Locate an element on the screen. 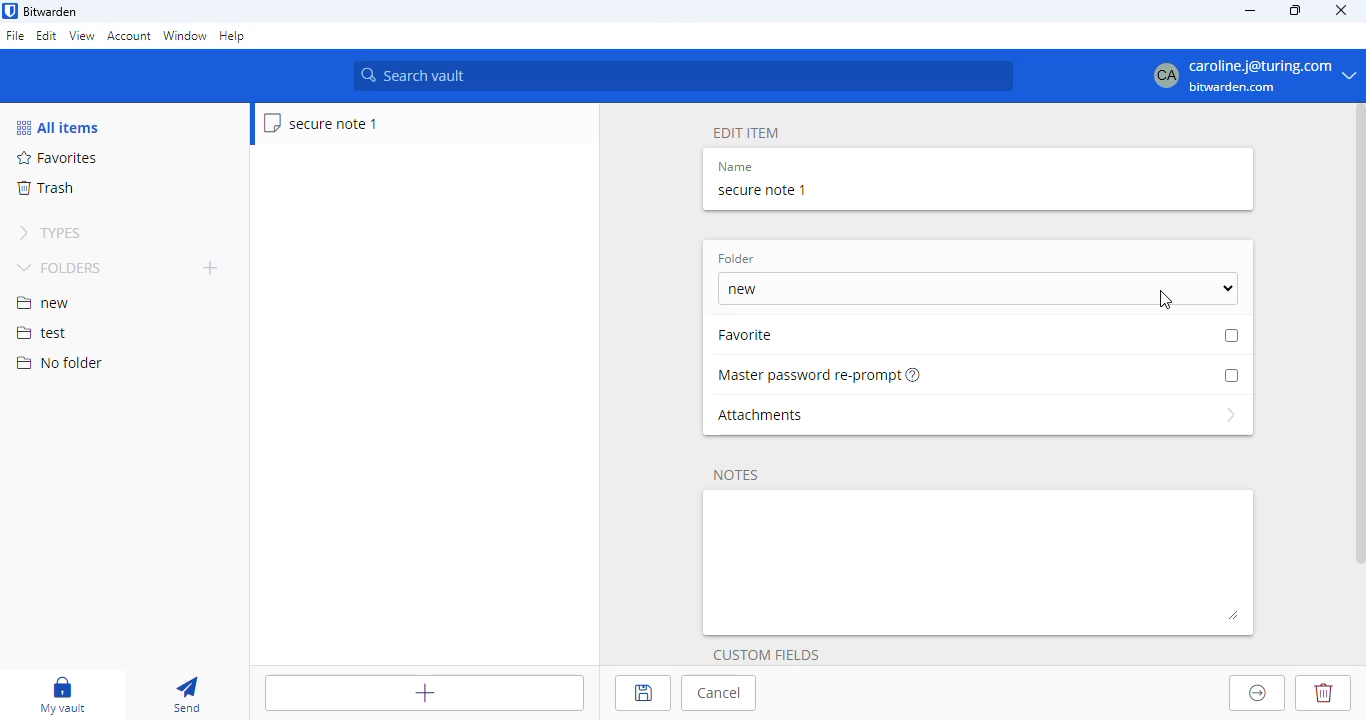 The width and height of the screenshot is (1366, 720). delete is located at coordinates (1322, 693).